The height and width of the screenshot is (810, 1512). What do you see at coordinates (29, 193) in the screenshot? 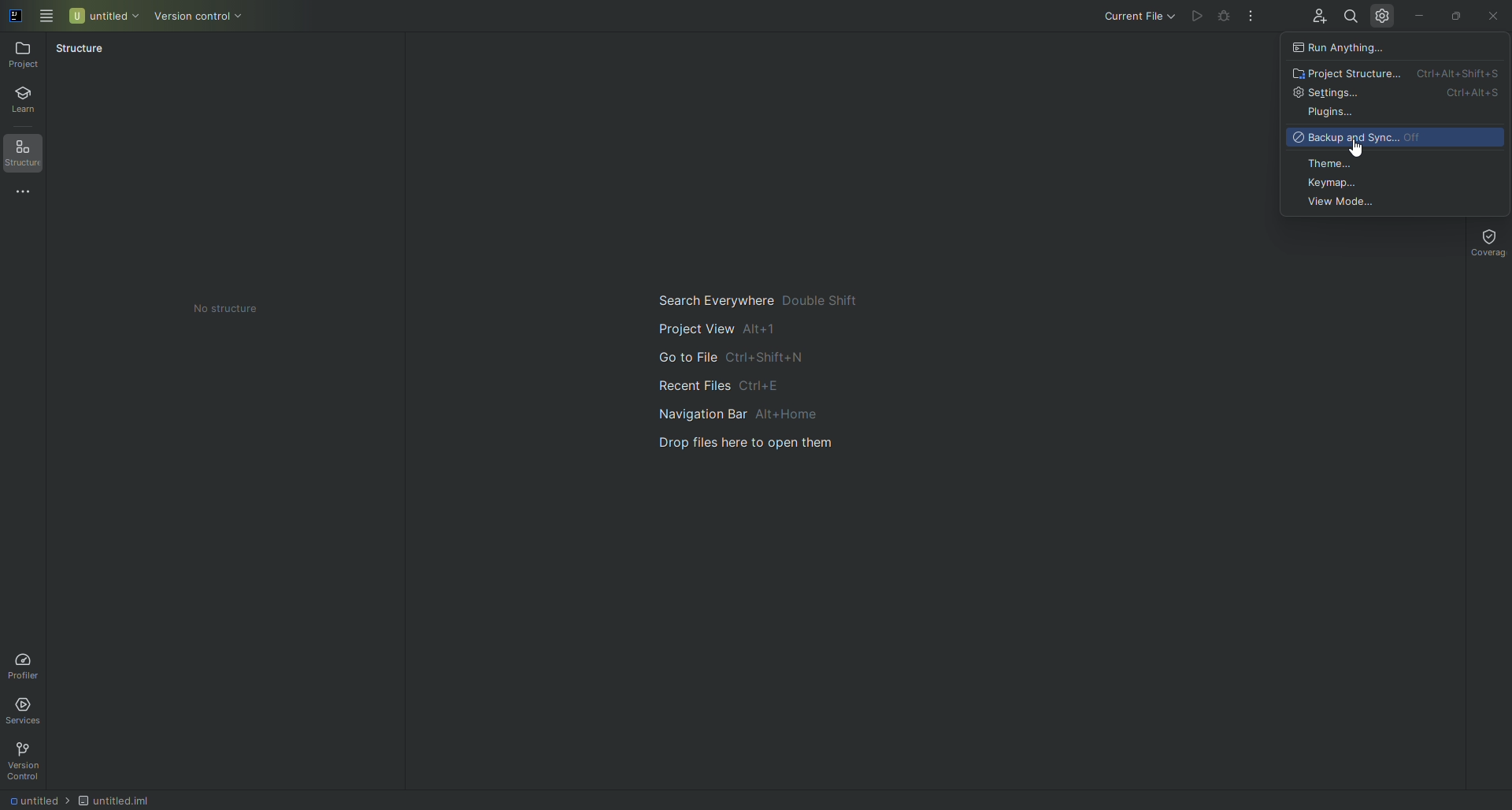
I see `More tools` at bounding box center [29, 193].